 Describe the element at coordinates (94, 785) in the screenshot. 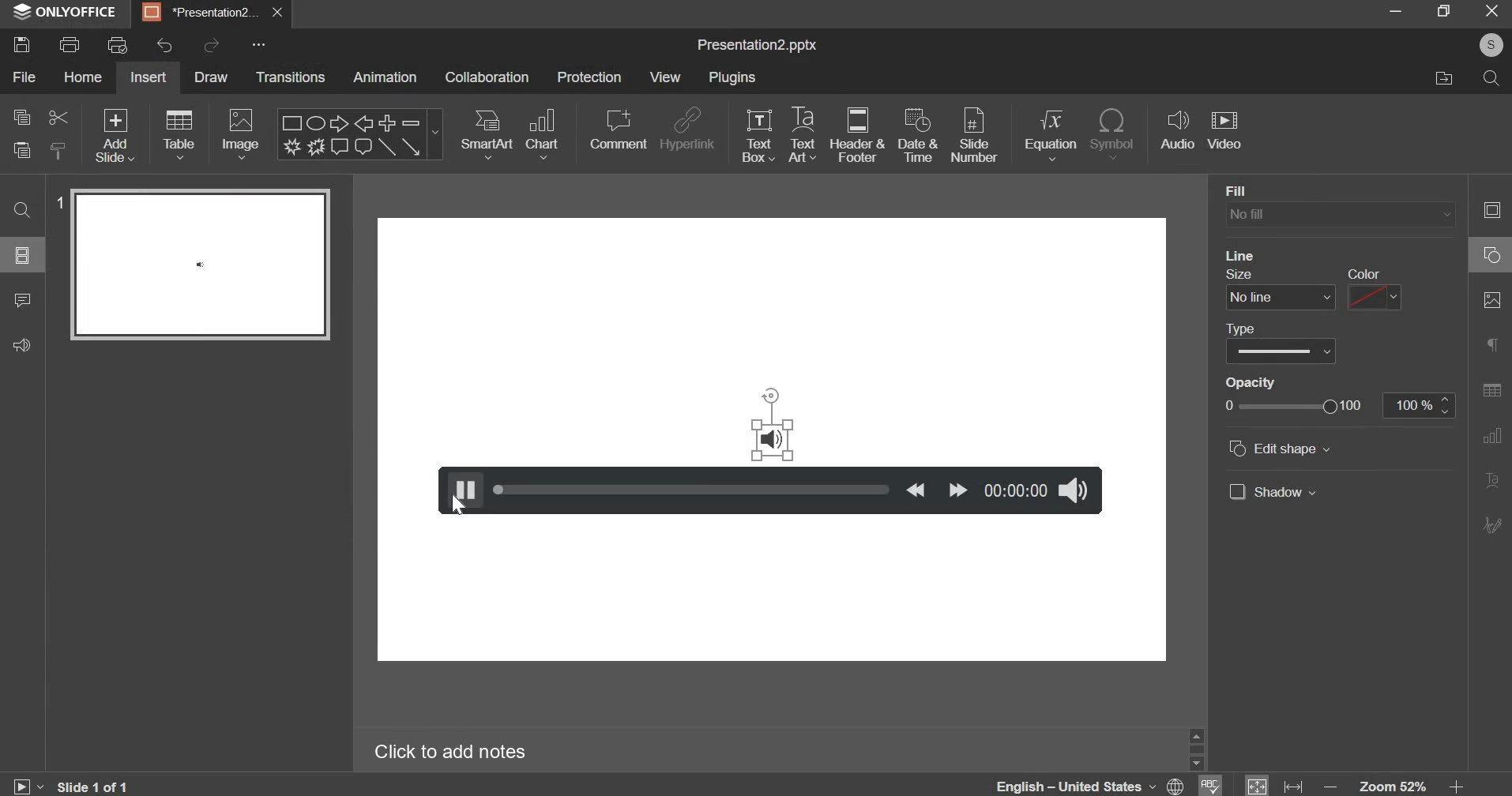

I see `active slide out of total slides` at that location.